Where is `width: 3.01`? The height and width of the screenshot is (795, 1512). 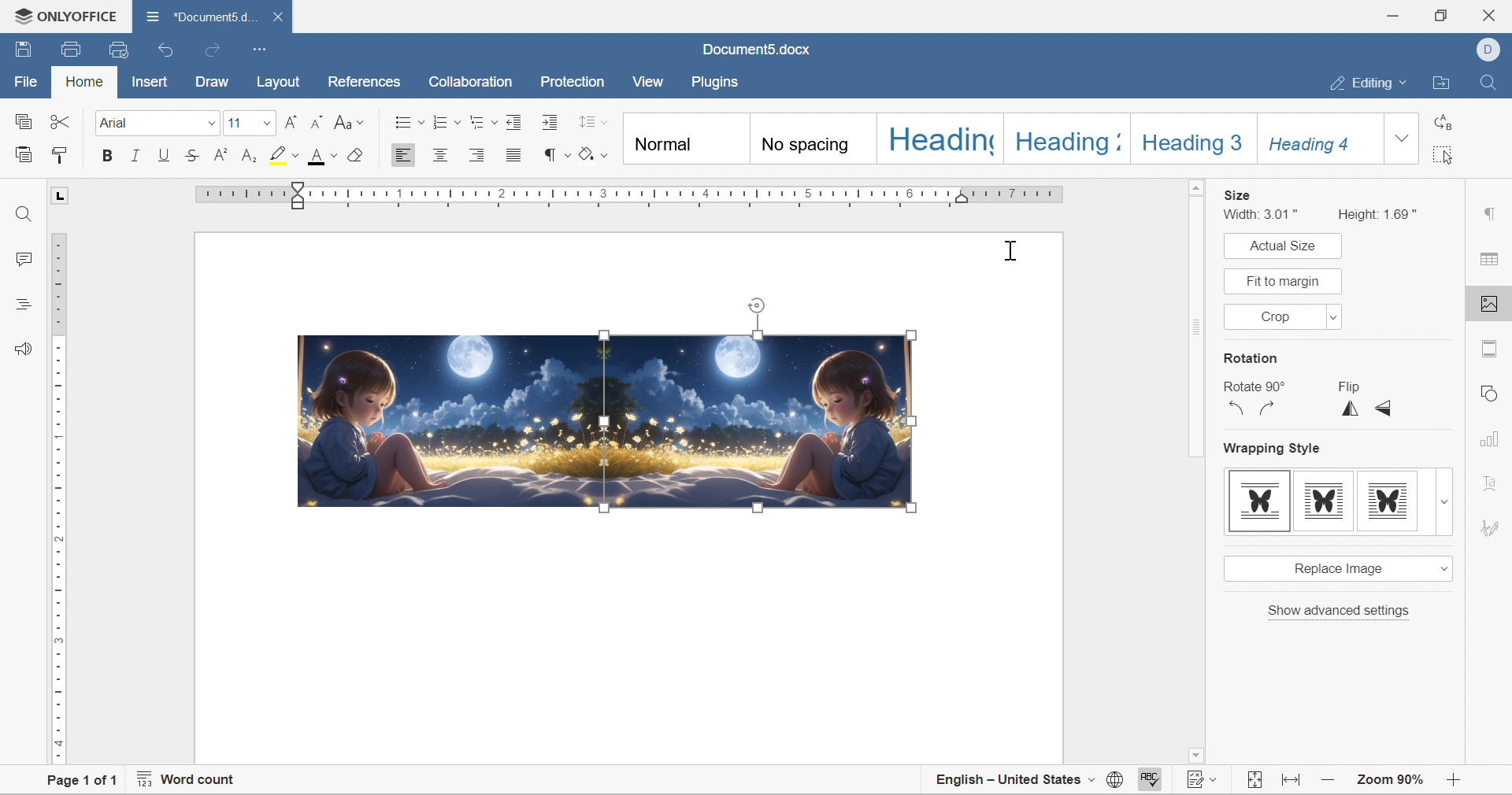
width: 3.01 is located at coordinates (1264, 214).